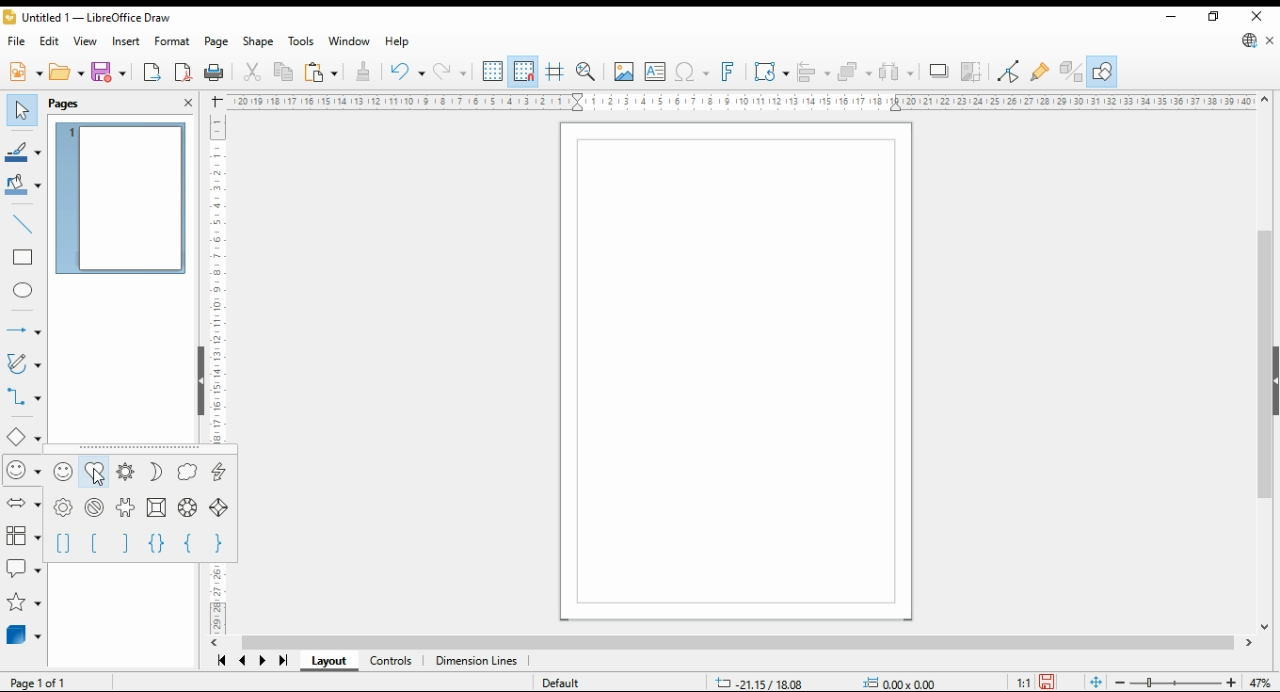  What do you see at coordinates (1070, 72) in the screenshot?
I see `toggle extrusions` at bounding box center [1070, 72].